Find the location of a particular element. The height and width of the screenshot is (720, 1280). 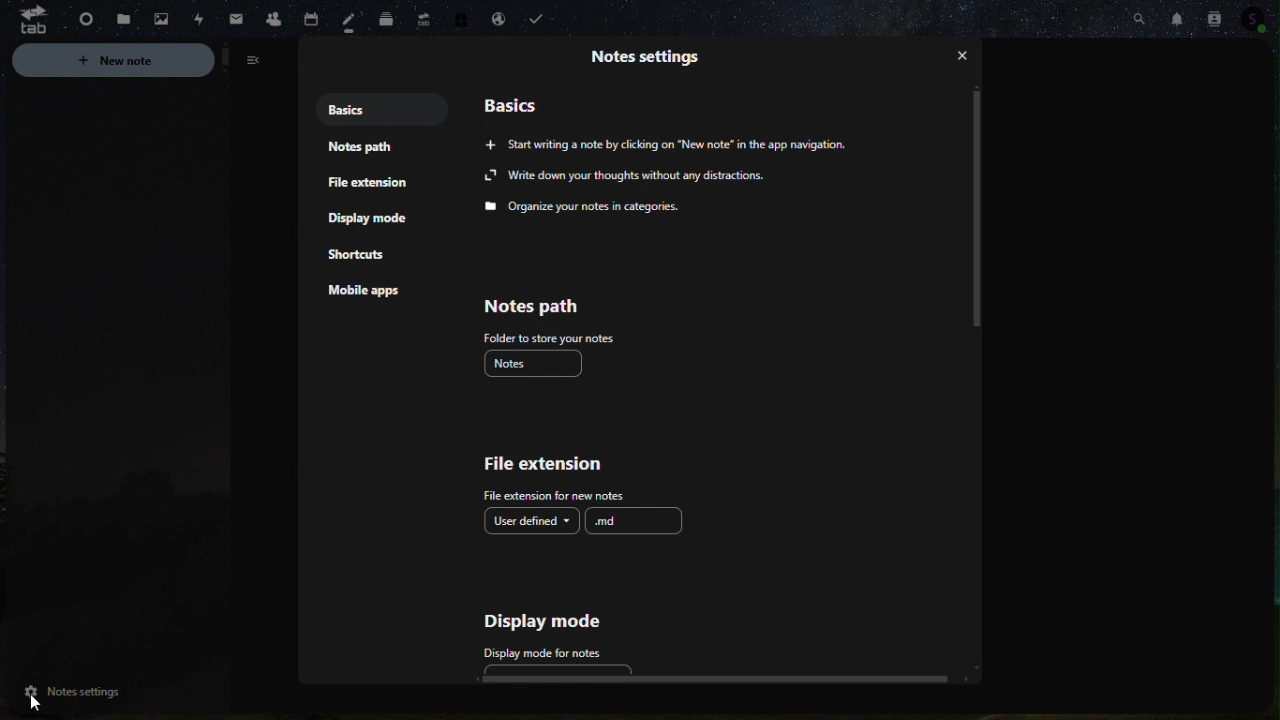

.md is located at coordinates (635, 521).